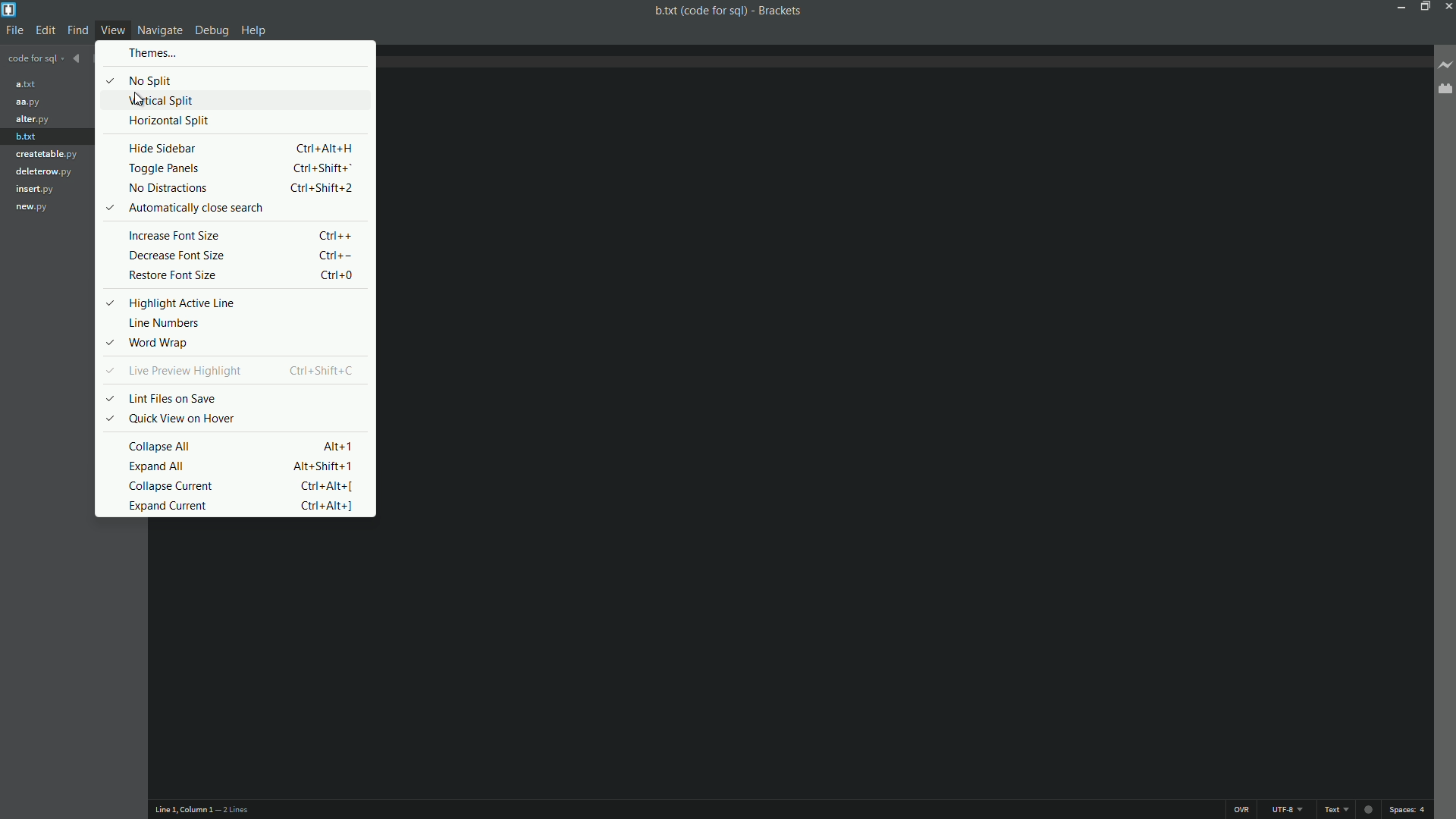 This screenshot has height=819, width=1456. What do you see at coordinates (243, 275) in the screenshot?
I see `restore font size` at bounding box center [243, 275].